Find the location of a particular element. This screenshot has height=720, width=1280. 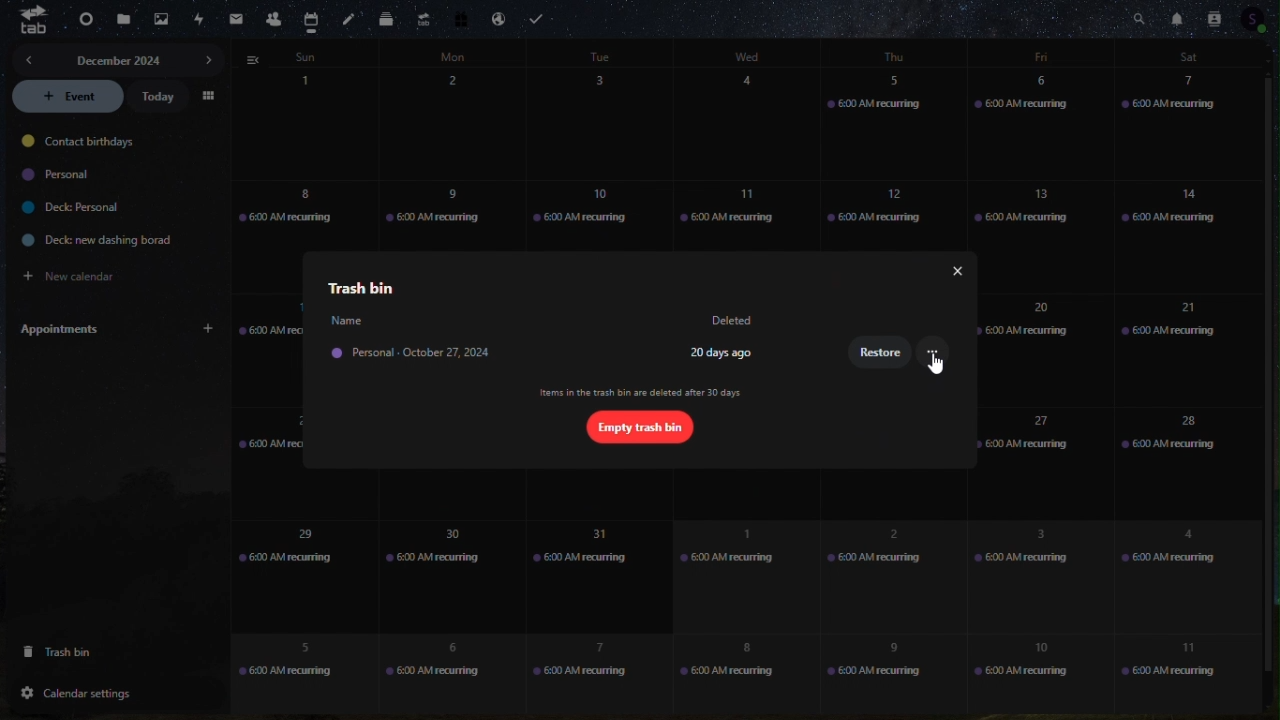

10 is located at coordinates (1034, 673).